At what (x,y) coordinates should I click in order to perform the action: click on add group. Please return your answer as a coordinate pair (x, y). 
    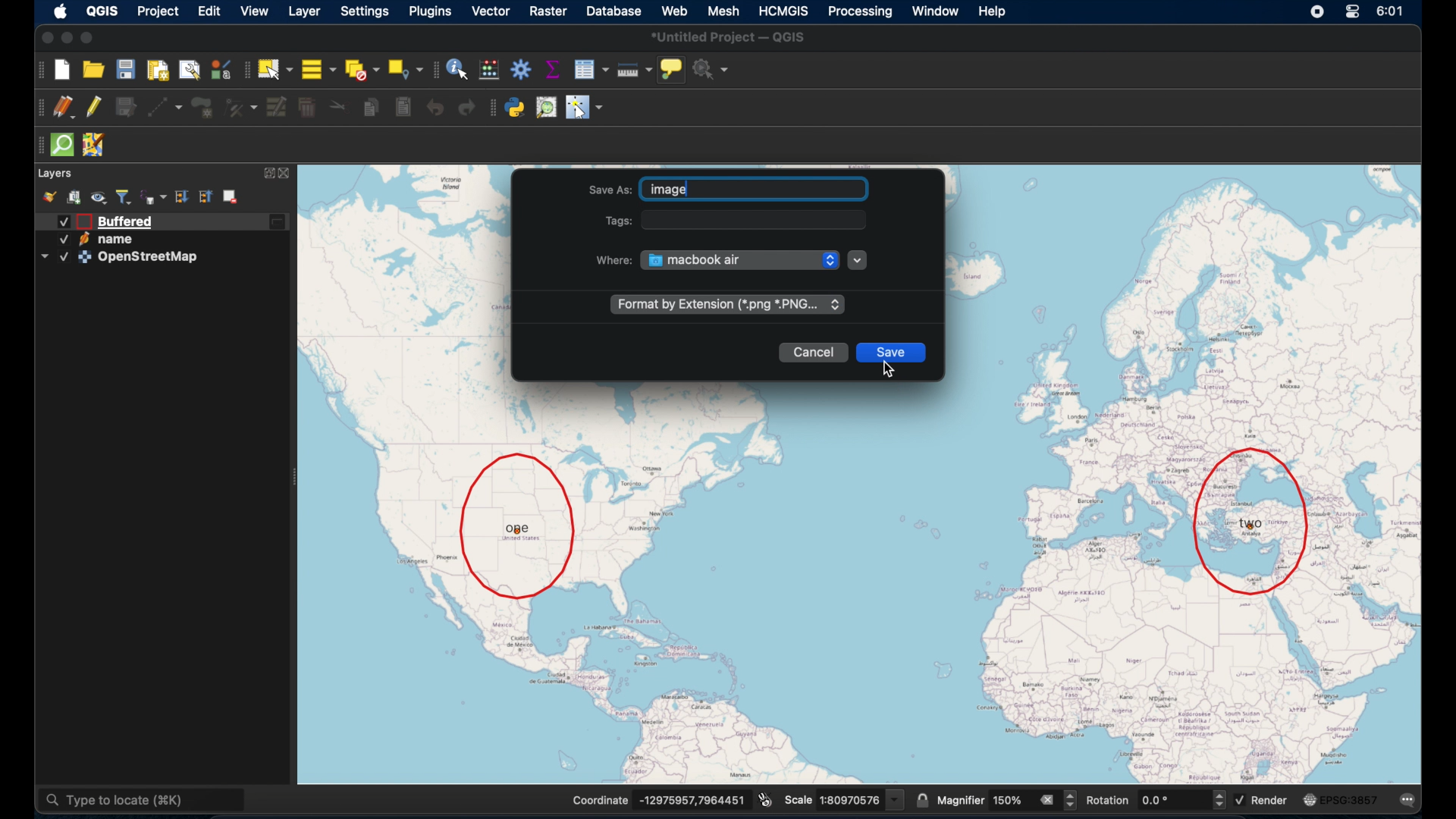
    Looking at the image, I should click on (74, 197).